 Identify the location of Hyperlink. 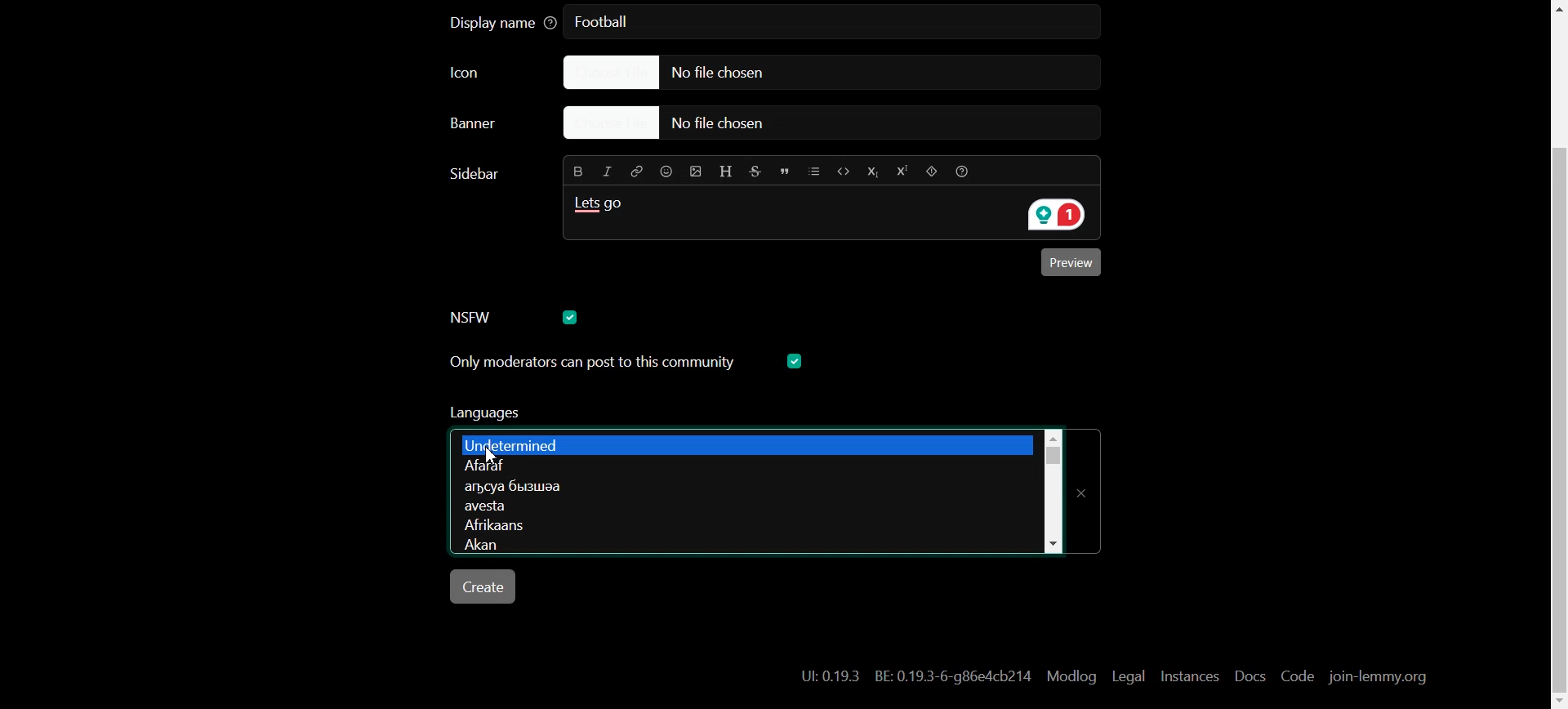
(637, 171).